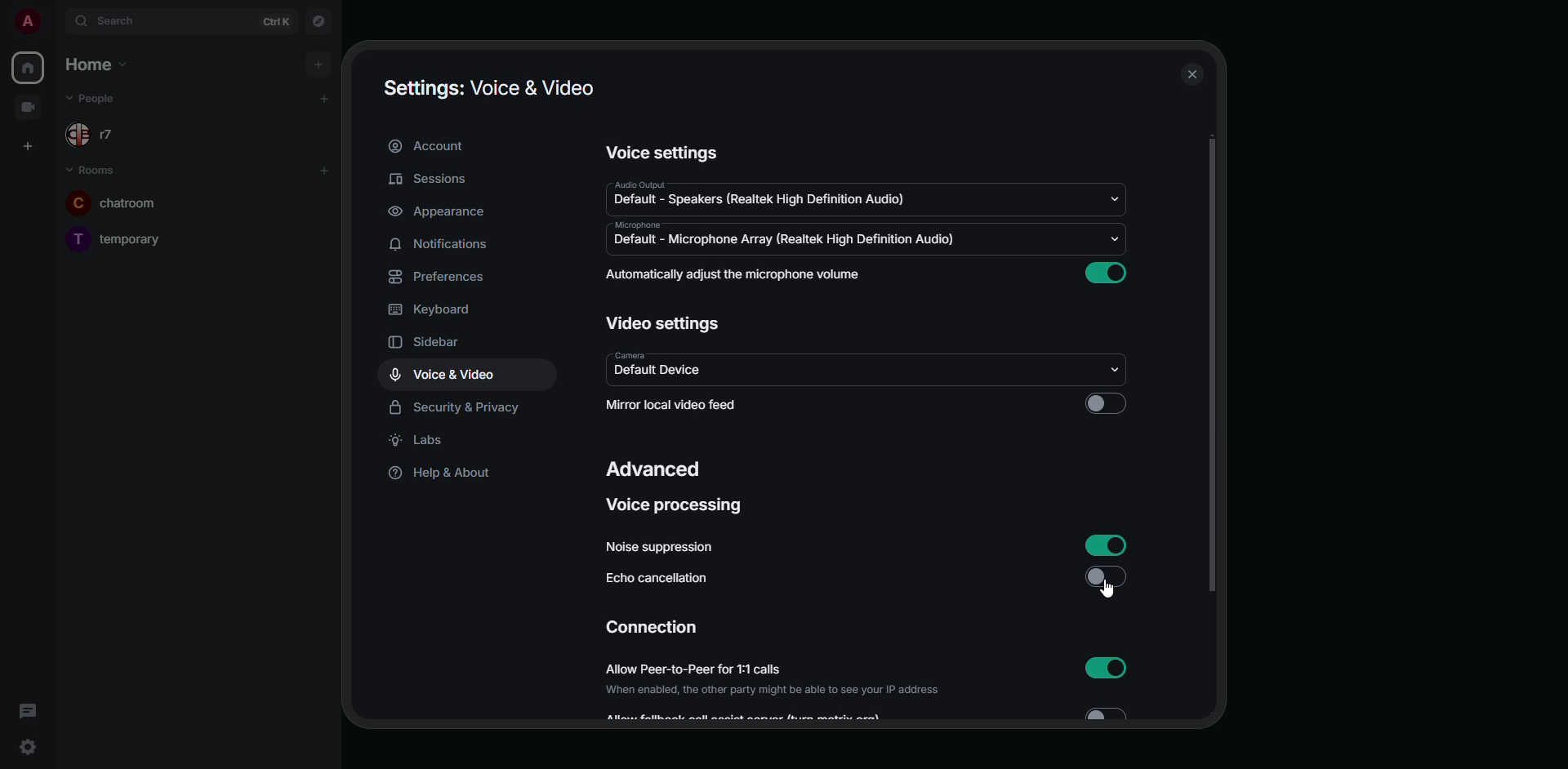 The height and width of the screenshot is (769, 1568). I want to click on settings voice & video, so click(487, 87).